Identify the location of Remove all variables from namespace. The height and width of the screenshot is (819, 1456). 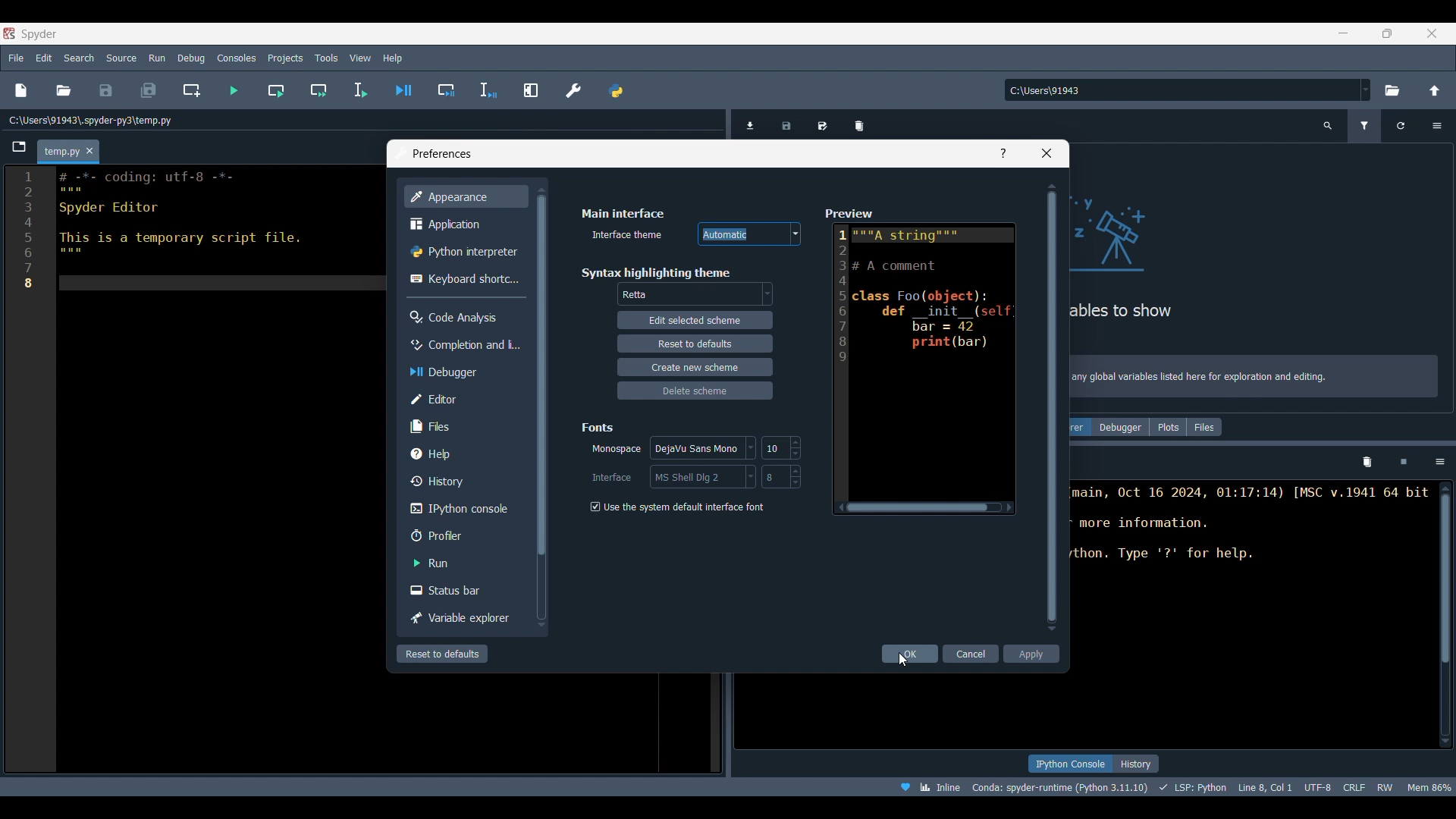
(1367, 463).